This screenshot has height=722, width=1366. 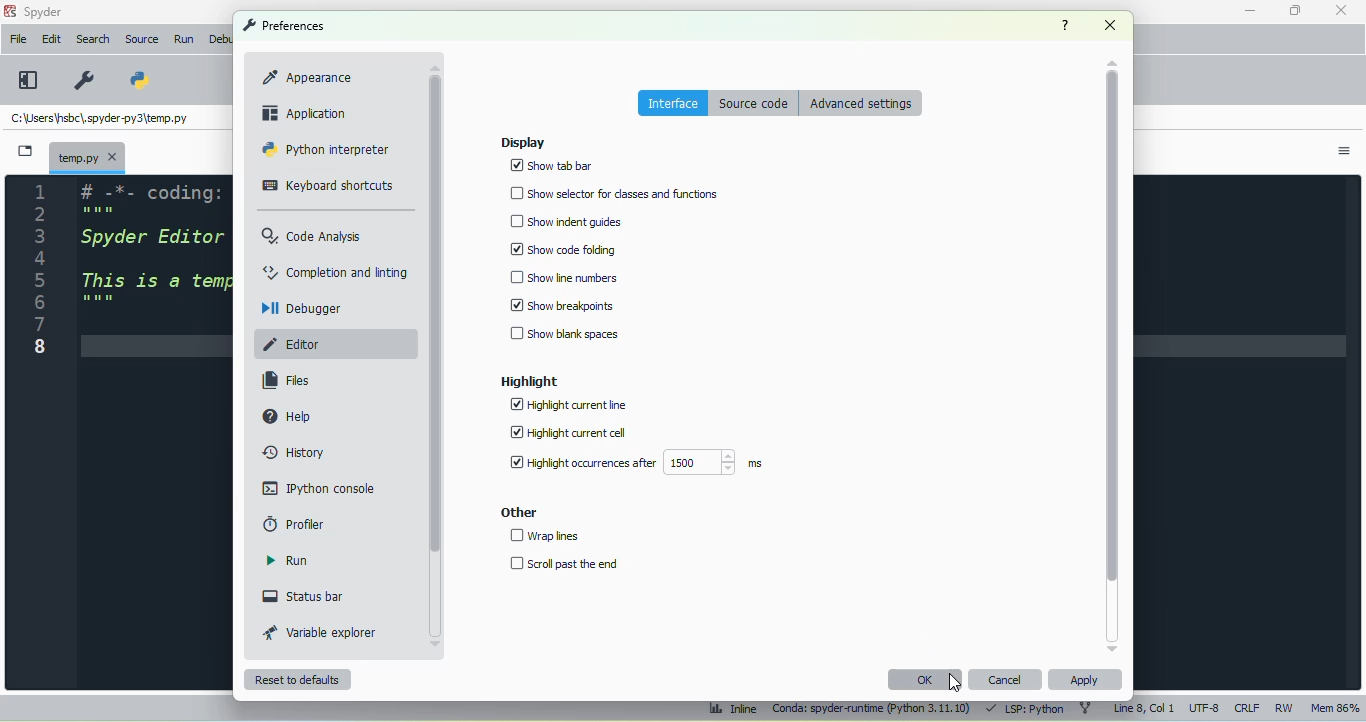 I want to click on editor, so click(x=295, y=344).